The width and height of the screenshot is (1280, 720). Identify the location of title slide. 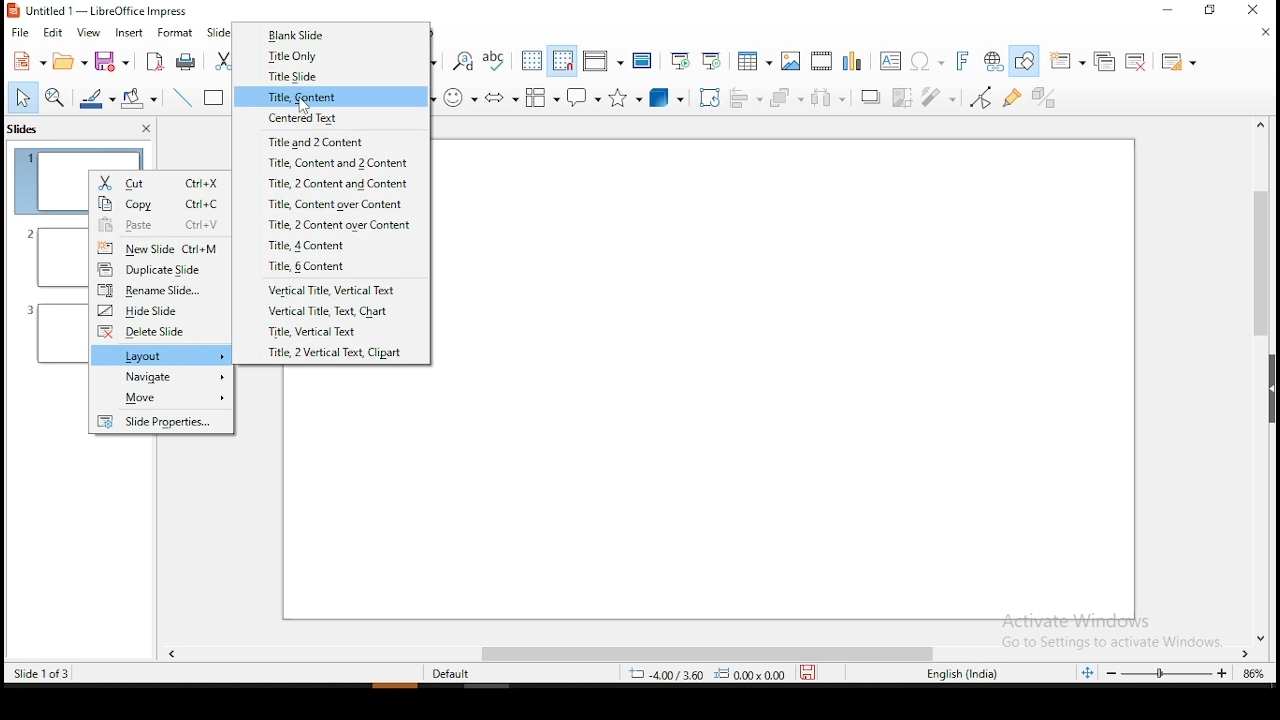
(296, 76).